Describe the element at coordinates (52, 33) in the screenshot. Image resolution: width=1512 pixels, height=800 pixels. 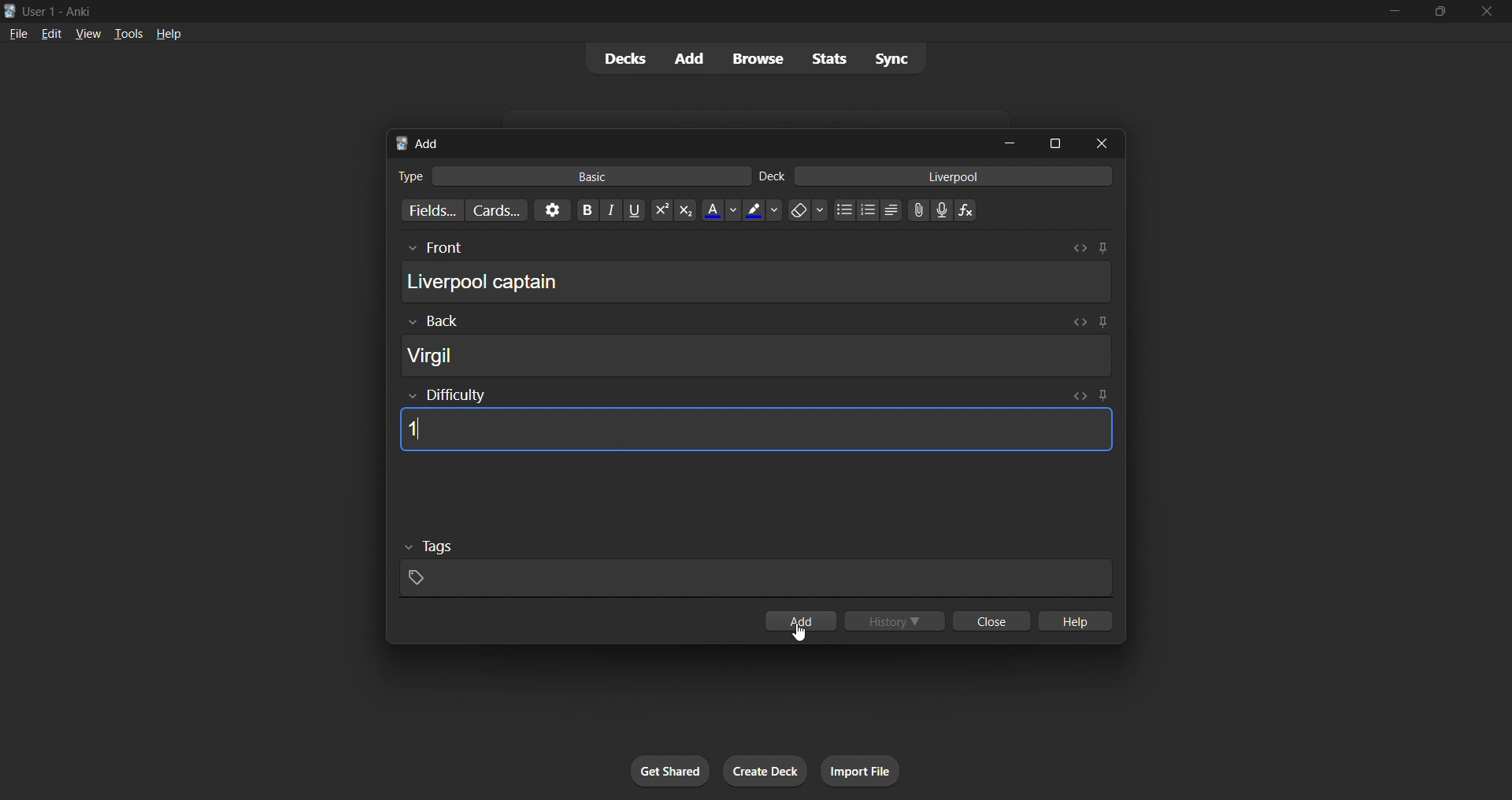
I see `edit` at that location.